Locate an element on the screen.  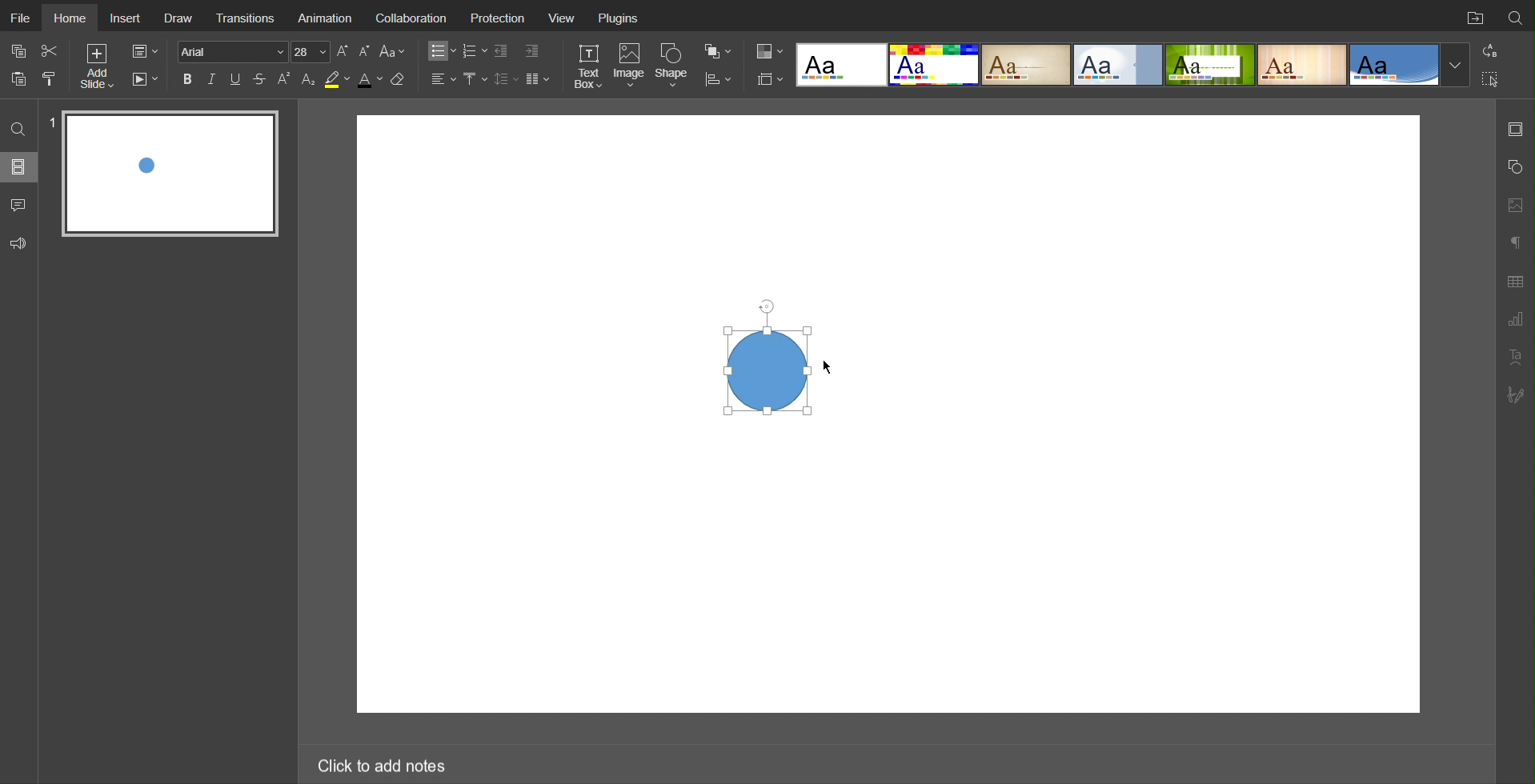
Home is located at coordinates (72, 18).